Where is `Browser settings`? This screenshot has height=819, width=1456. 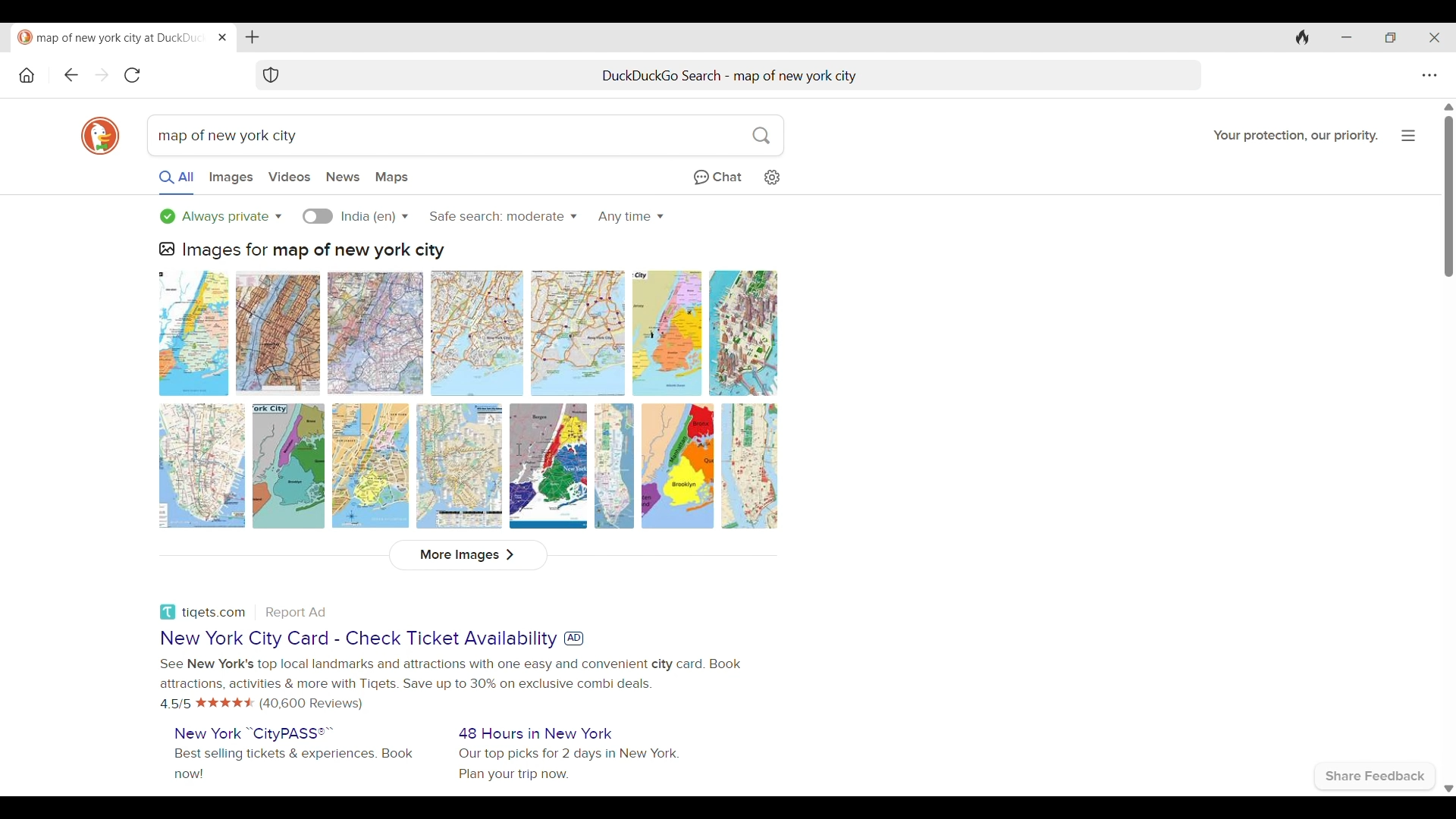
Browser settings is located at coordinates (1429, 76).